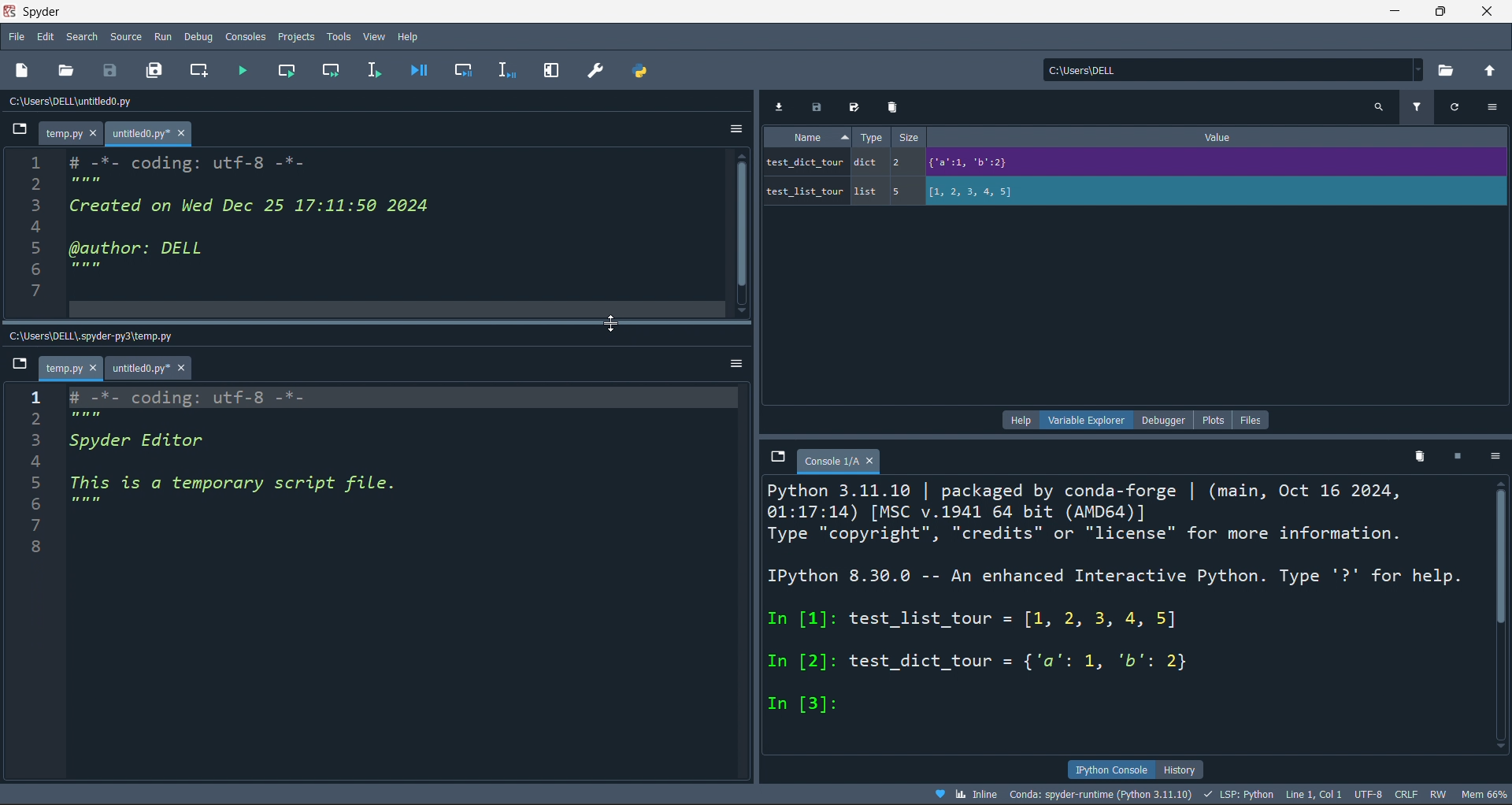 The image size is (1512, 805). I want to click on debug line, so click(508, 72).